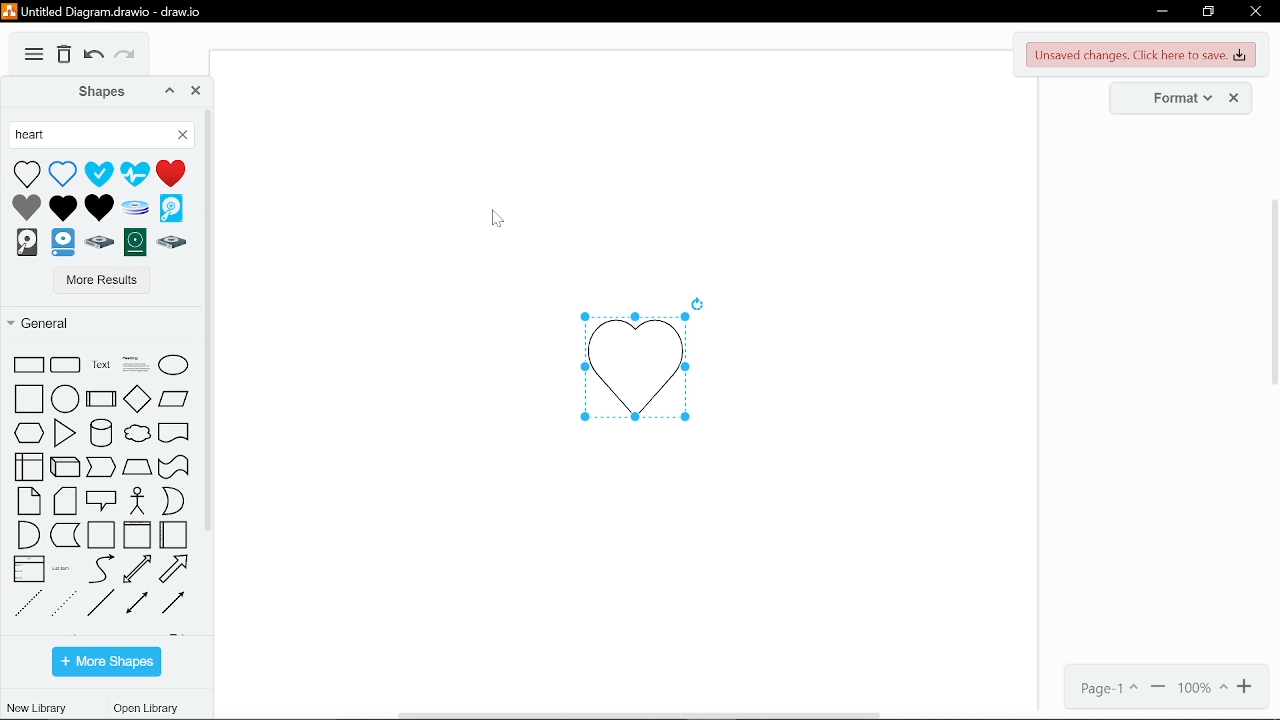 This screenshot has width=1280, height=720. What do you see at coordinates (1103, 688) in the screenshot?
I see `page1` at bounding box center [1103, 688].